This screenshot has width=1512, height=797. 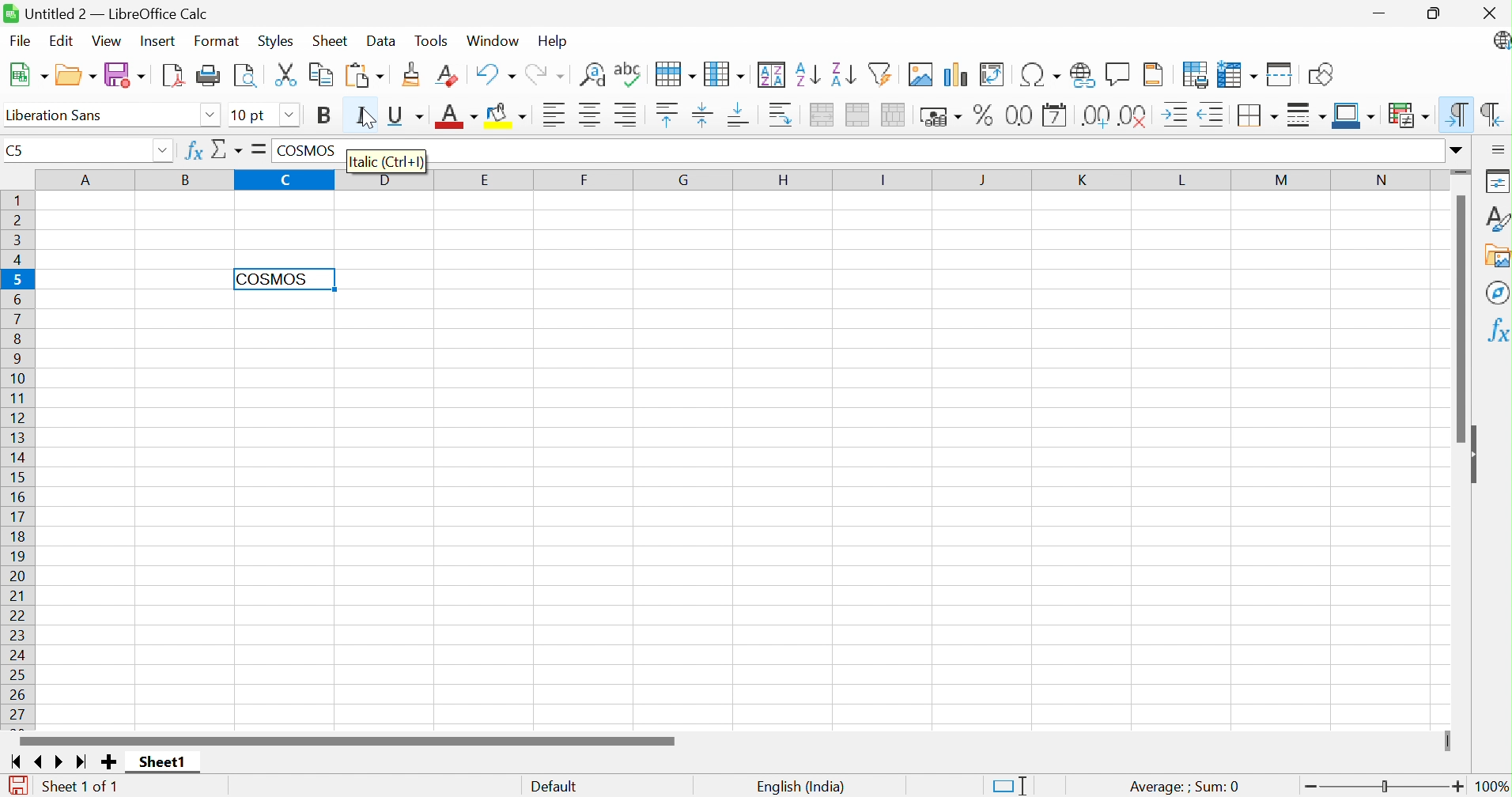 What do you see at coordinates (1280, 74) in the screenshot?
I see `Split windows` at bounding box center [1280, 74].